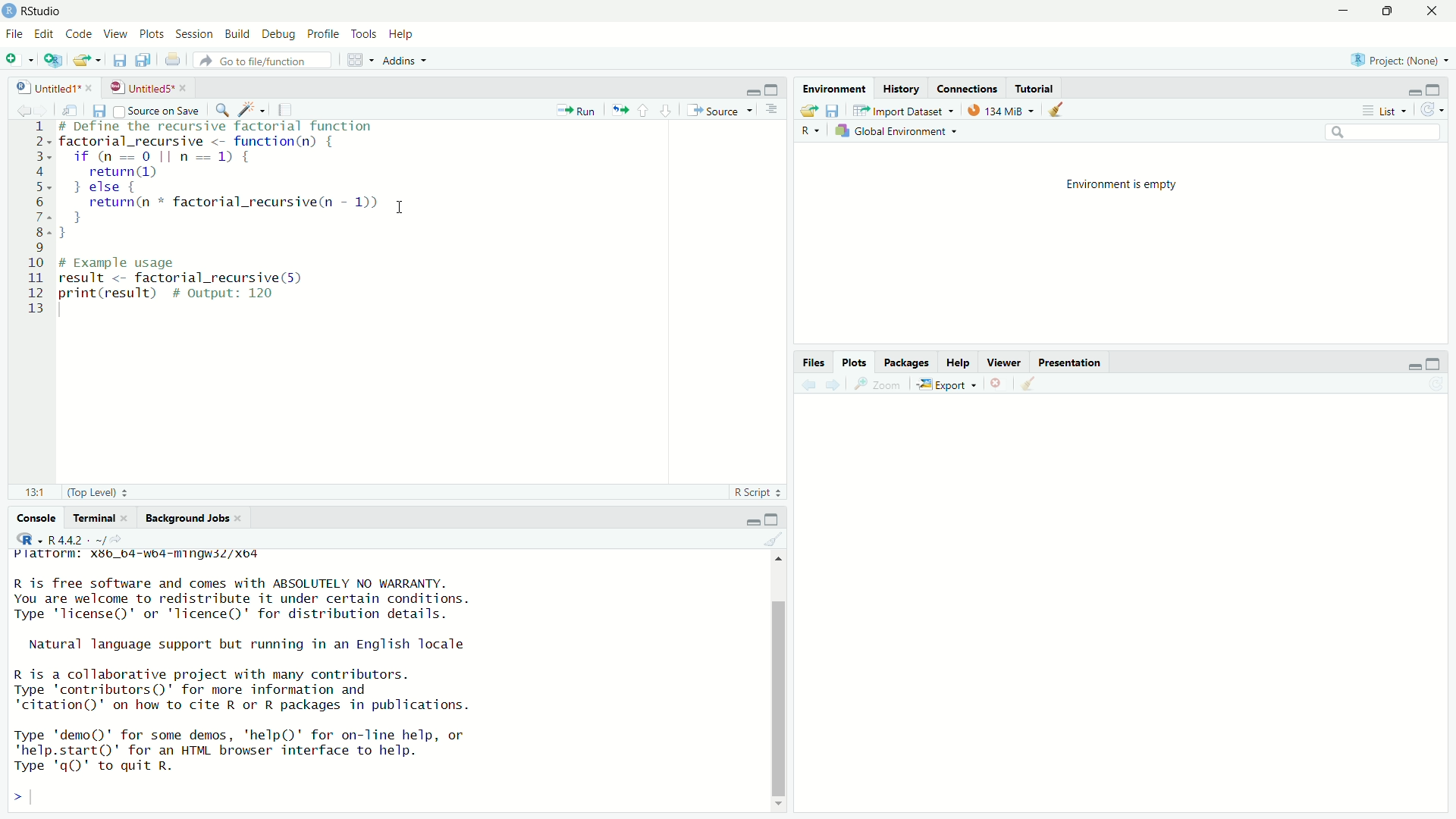  What do you see at coordinates (1006, 360) in the screenshot?
I see `Viewer` at bounding box center [1006, 360].